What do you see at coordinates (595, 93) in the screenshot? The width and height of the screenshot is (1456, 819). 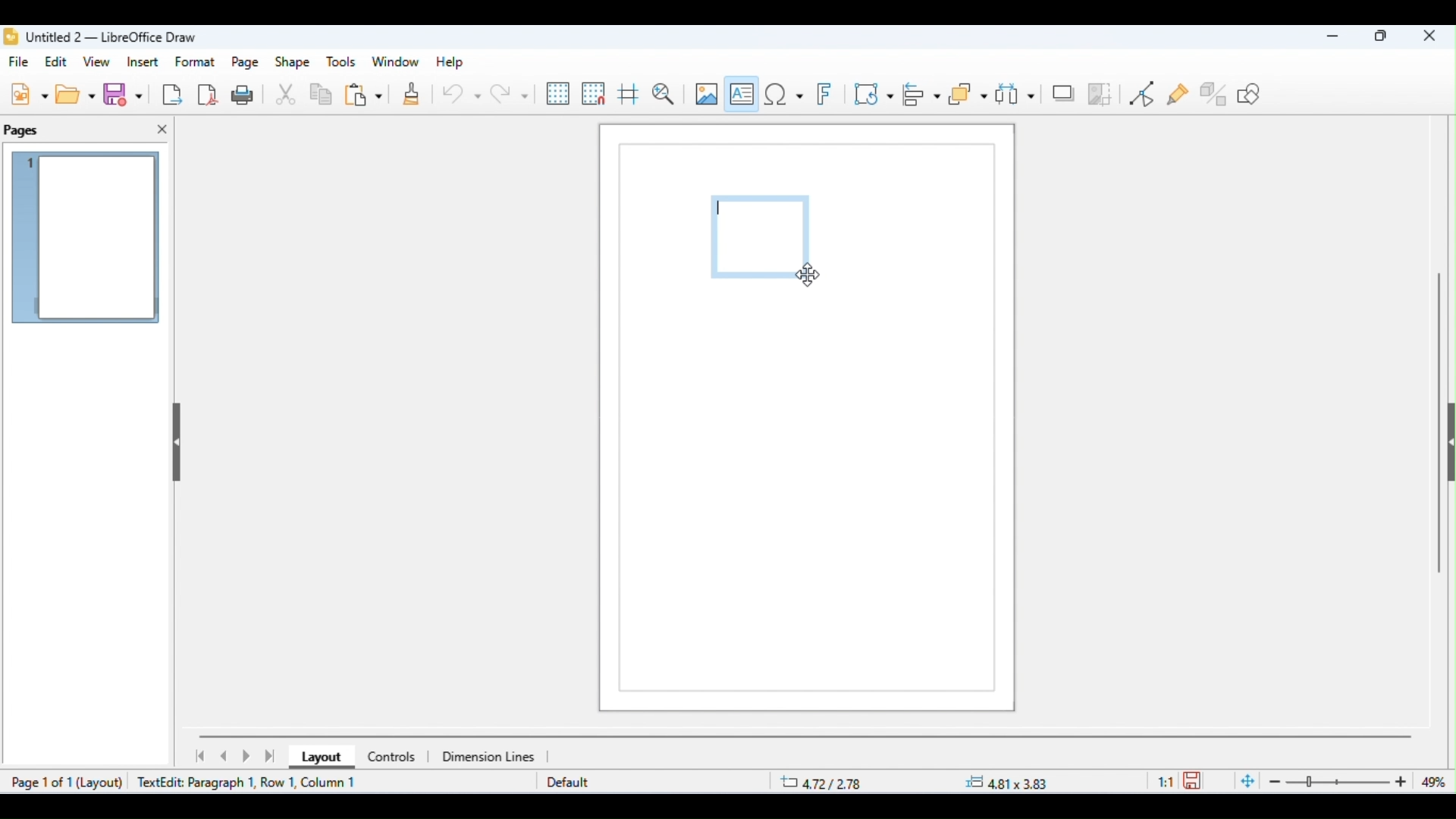 I see `snap to grid` at bounding box center [595, 93].